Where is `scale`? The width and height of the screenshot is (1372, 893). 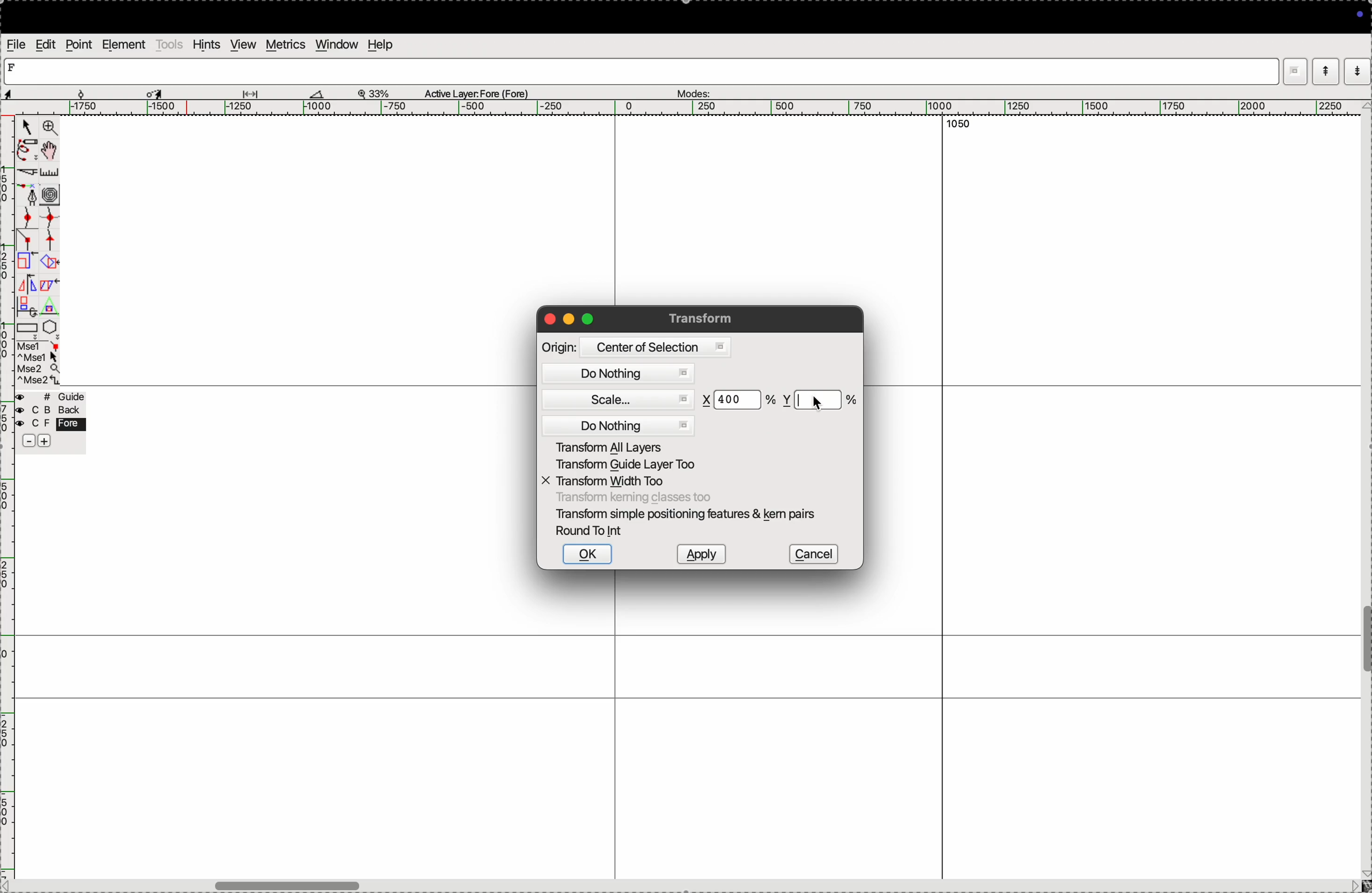
scale is located at coordinates (623, 401).